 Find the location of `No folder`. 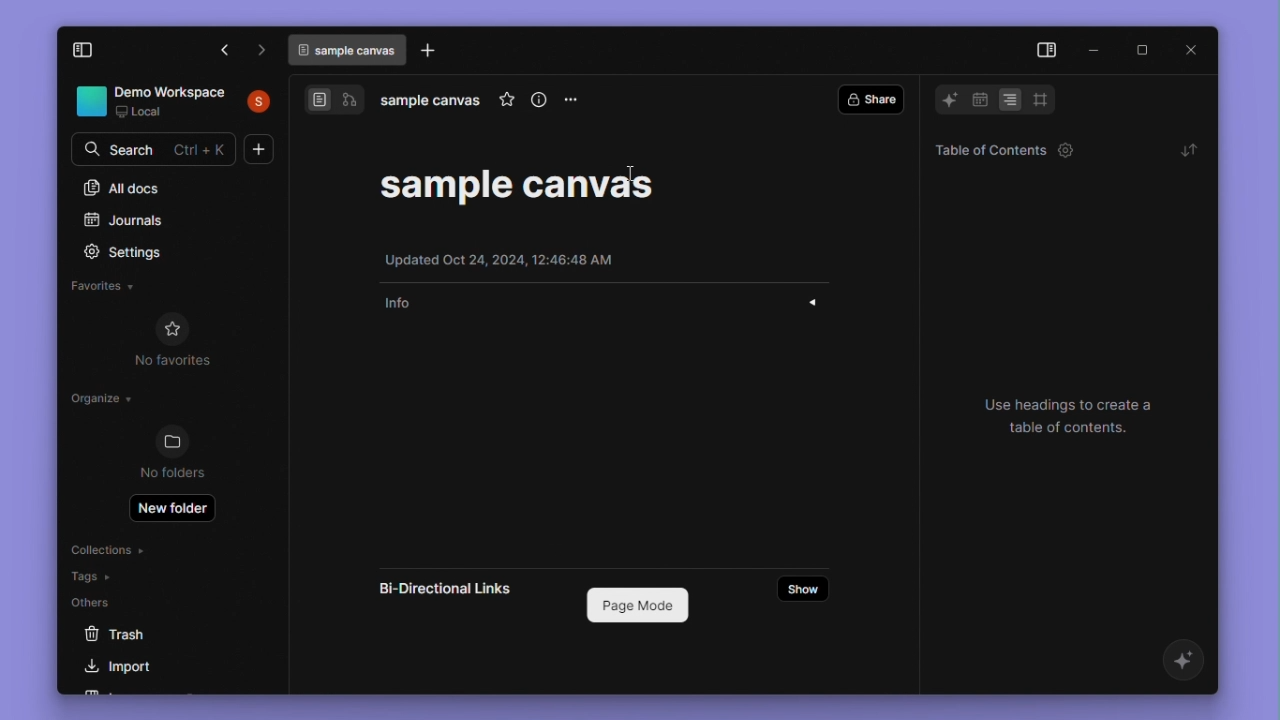

No folder is located at coordinates (174, 454).